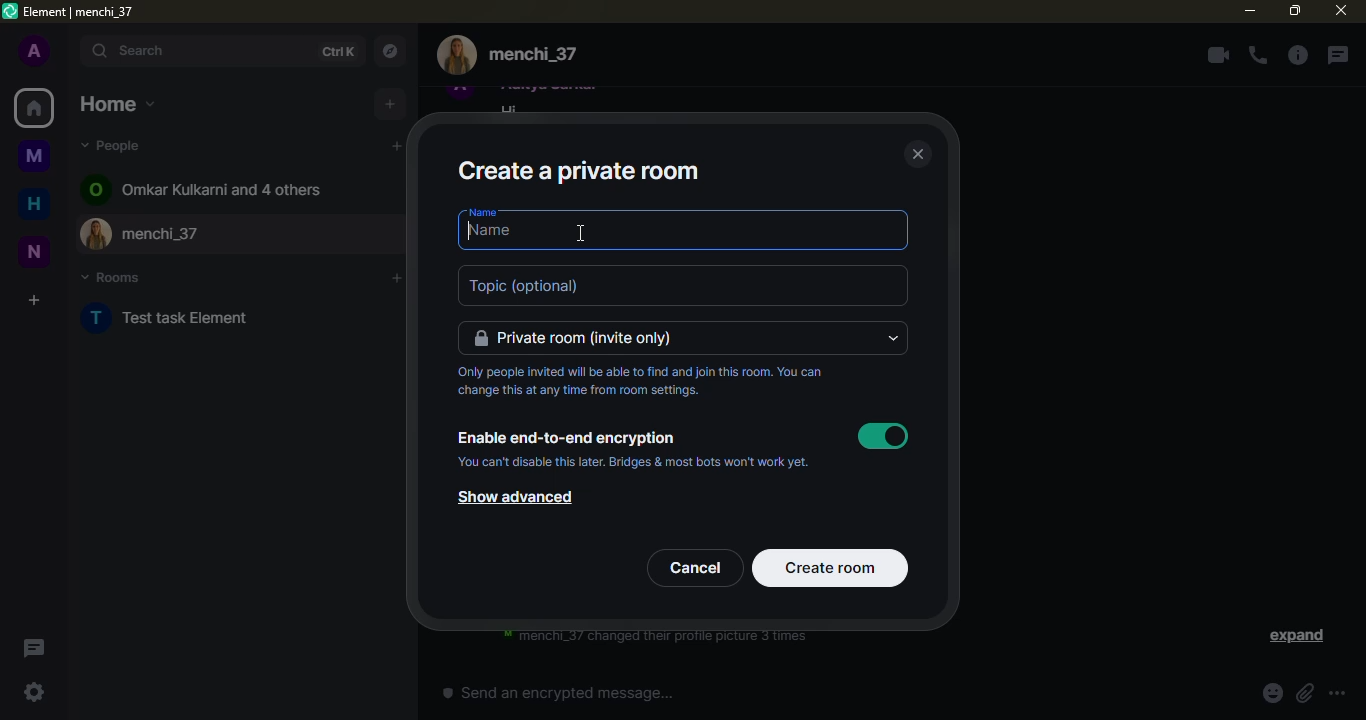 This screenshot has width=1366, height=720. What do you see at coordinates (580, 233) in the screenshot?
I see `Cursor` at bounding box center [580, 233].